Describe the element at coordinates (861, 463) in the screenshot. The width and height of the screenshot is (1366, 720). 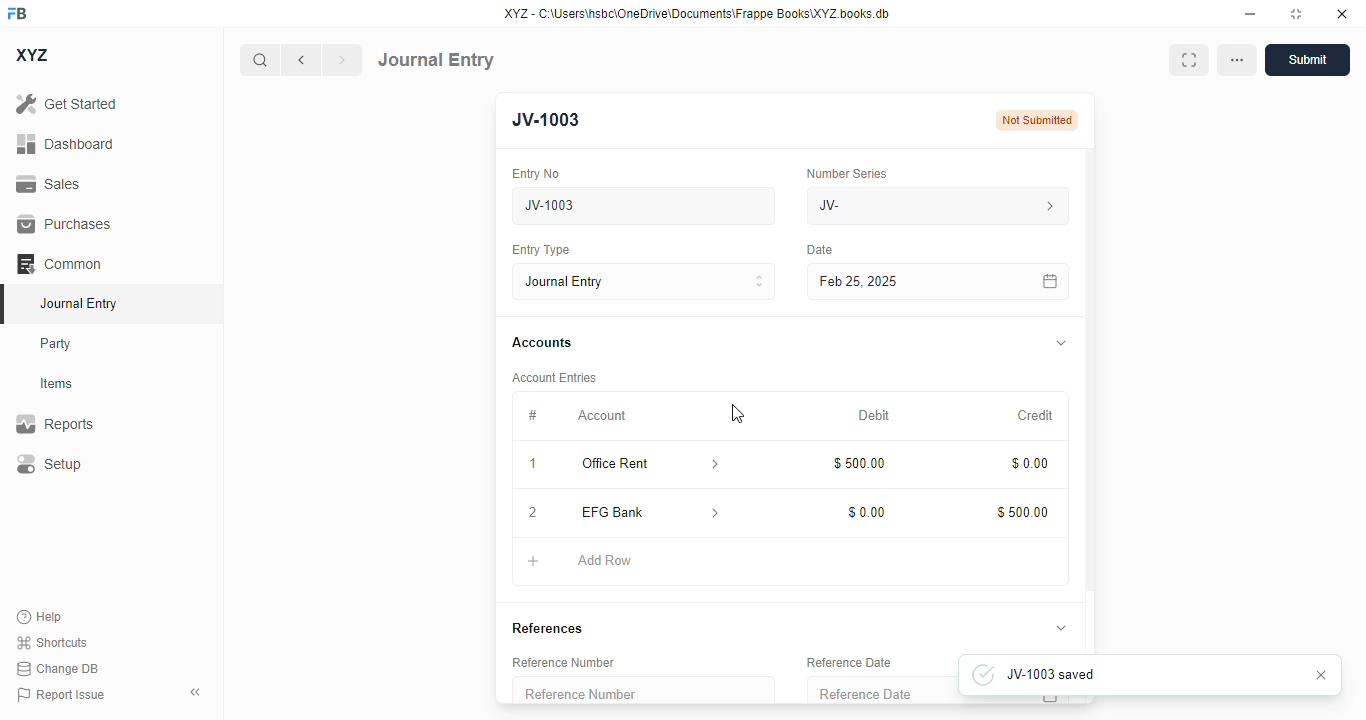
I see `$500.00` at that location.